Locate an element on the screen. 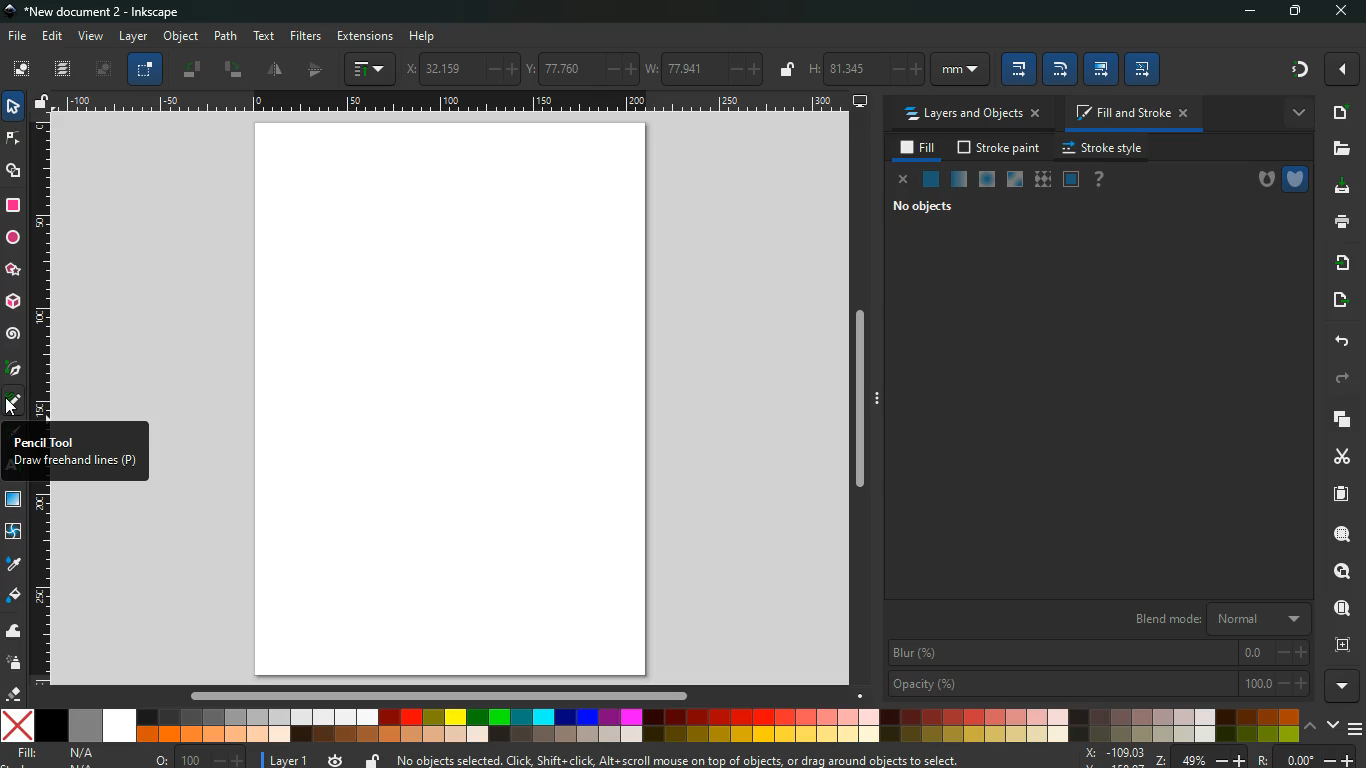  photo is located at coordinates (21, 68).